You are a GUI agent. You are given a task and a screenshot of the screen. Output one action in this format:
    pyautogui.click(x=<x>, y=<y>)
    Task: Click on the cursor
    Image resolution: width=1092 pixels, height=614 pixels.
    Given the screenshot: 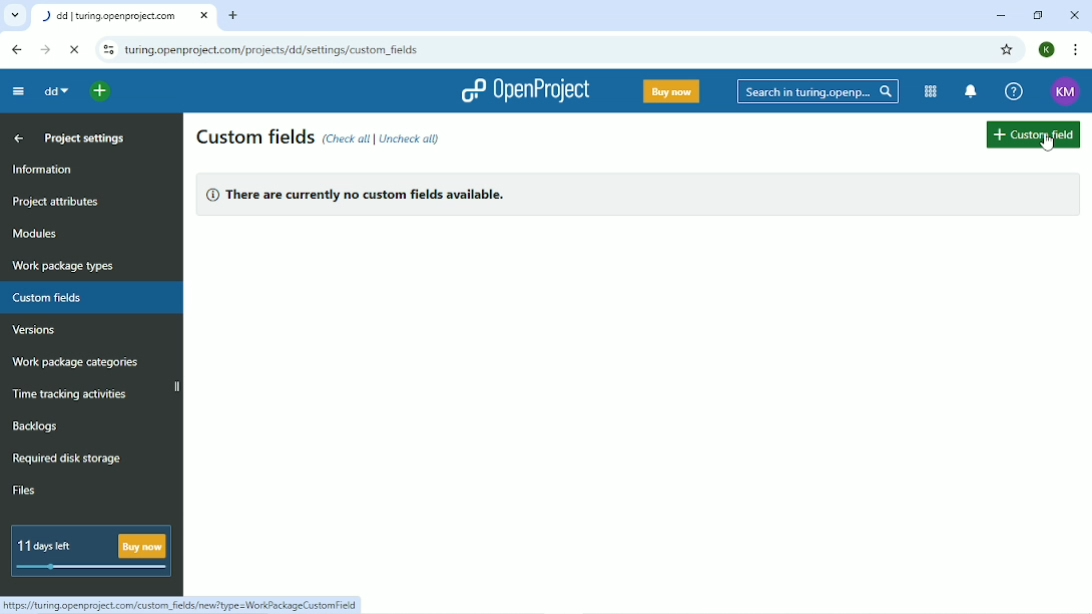 What is the action you would take?
    pyautogui.click(x=1049, y=144)
    